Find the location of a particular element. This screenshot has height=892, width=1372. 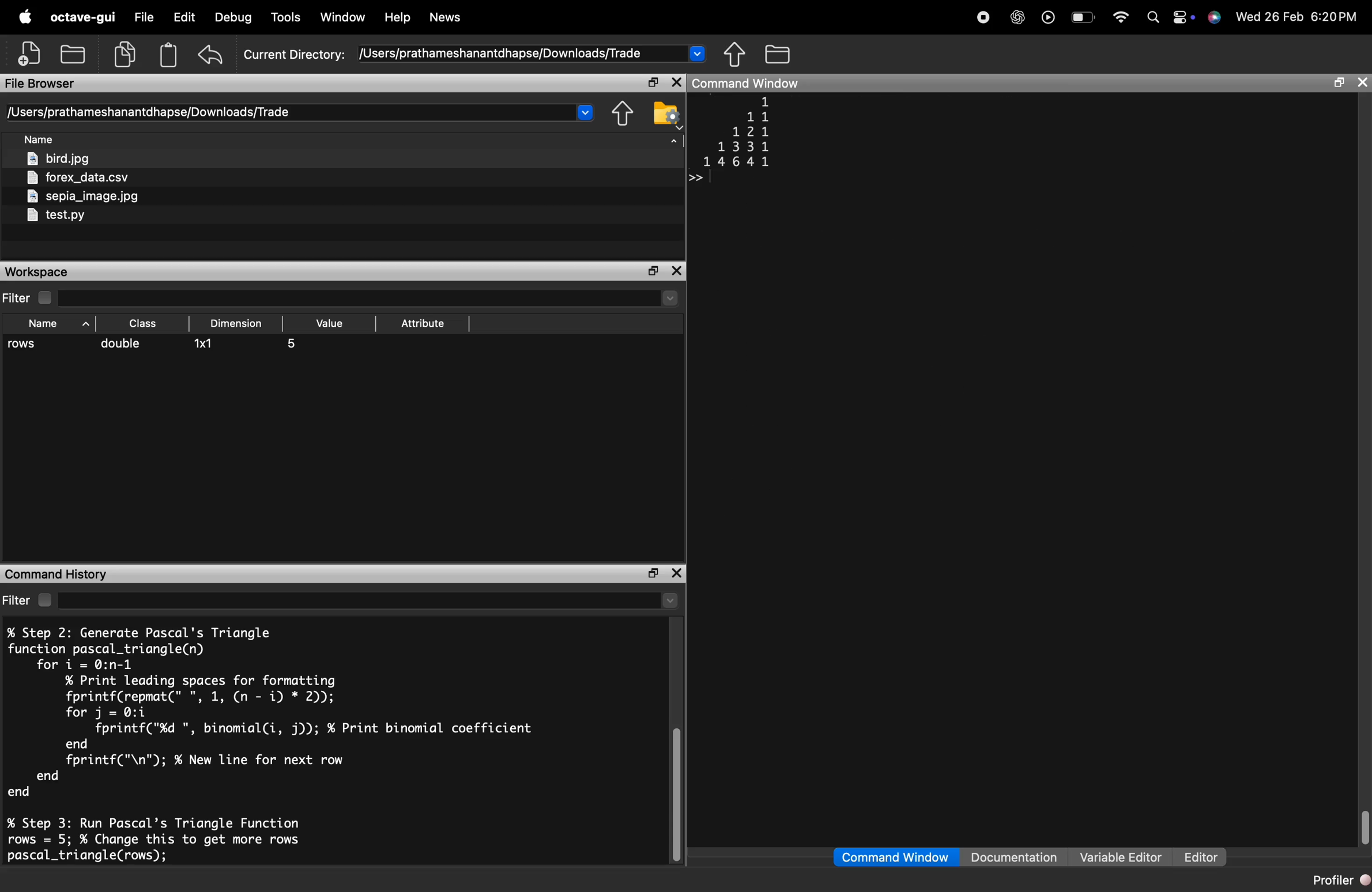

File Browser is located at coordinates (41, 84).